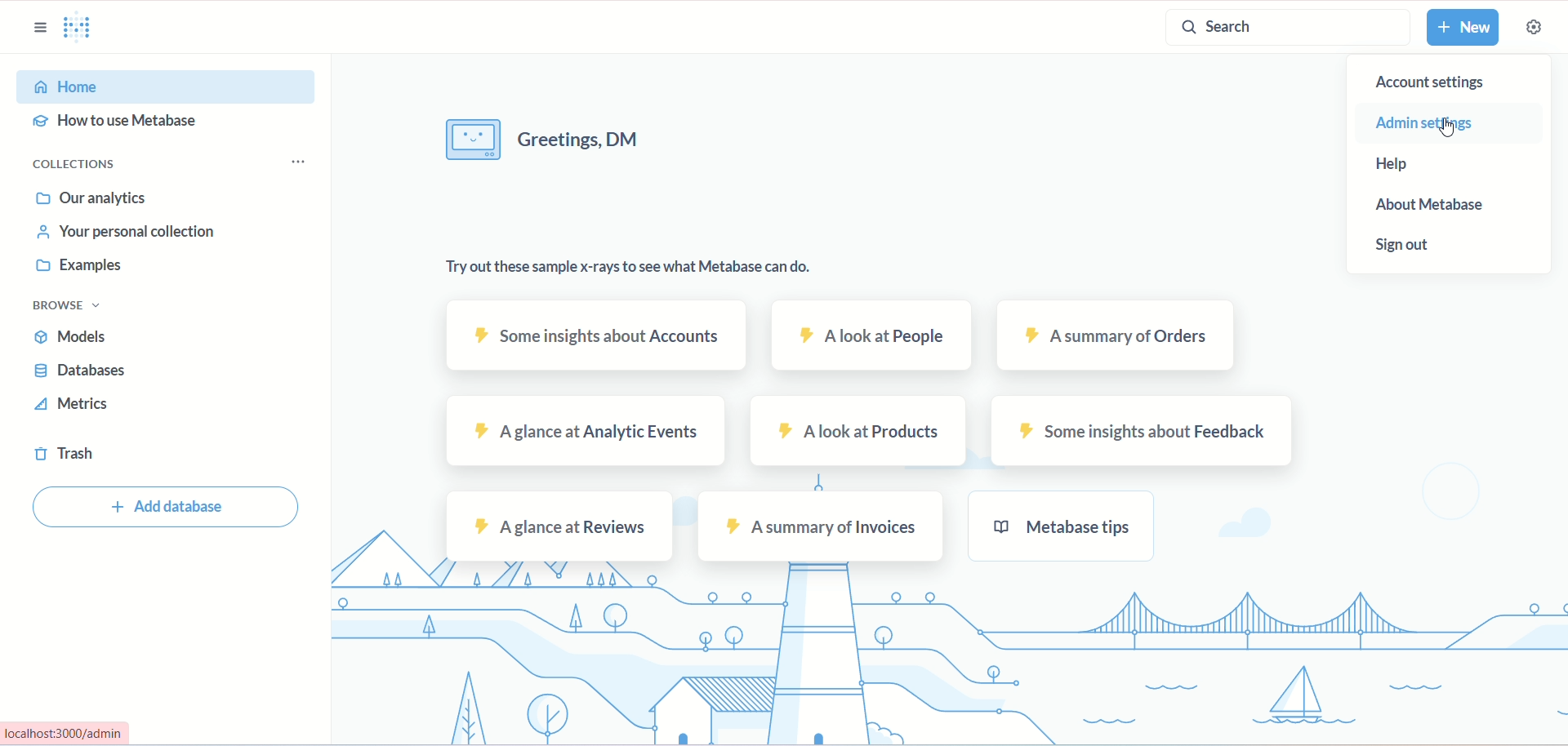  I want to click on add database, so click(168, 510).